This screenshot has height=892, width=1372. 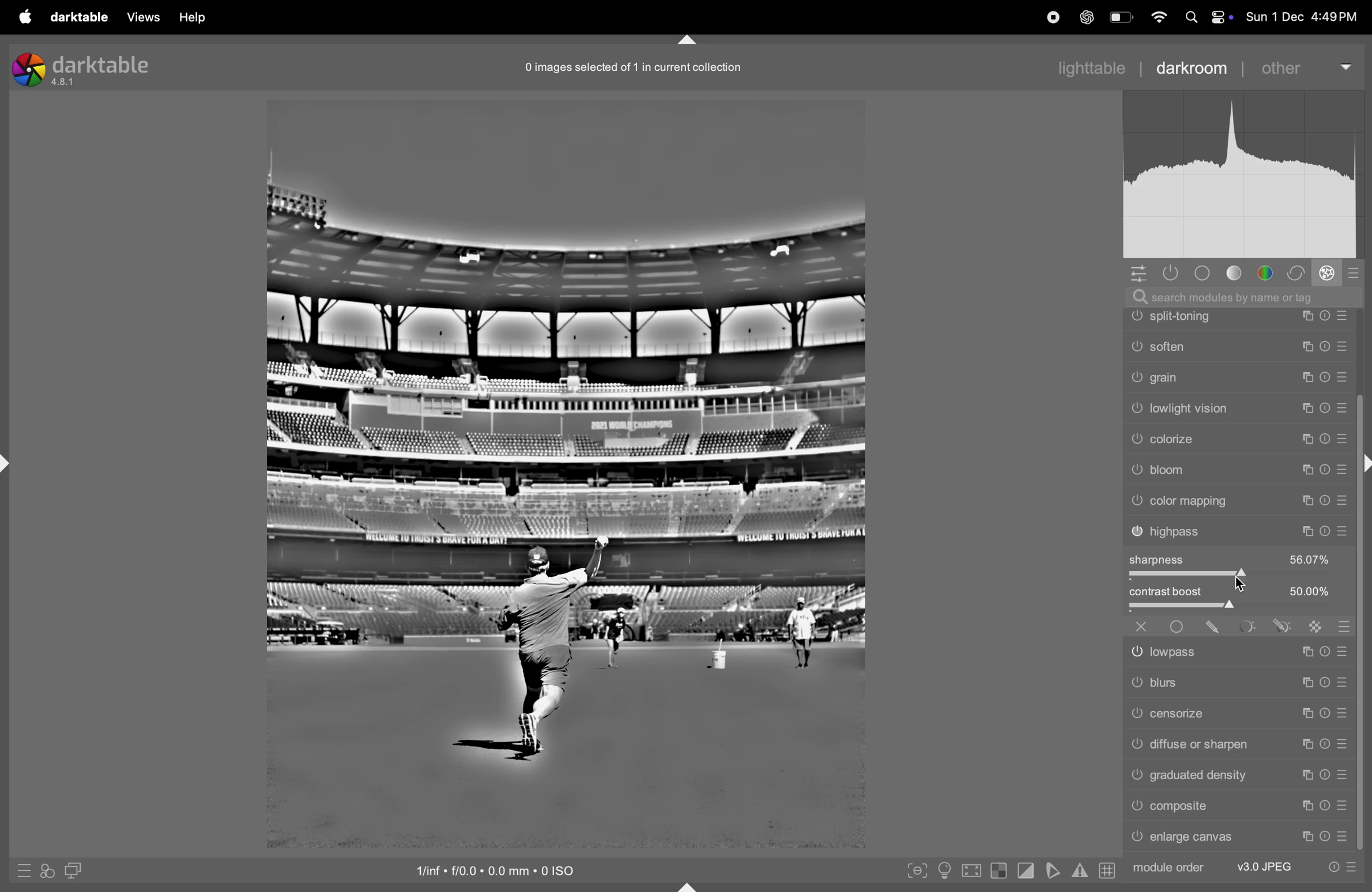 What do you see at coordinates (507, 870) in the screenshot?
I see `iso` at bounding box center [507, 870].